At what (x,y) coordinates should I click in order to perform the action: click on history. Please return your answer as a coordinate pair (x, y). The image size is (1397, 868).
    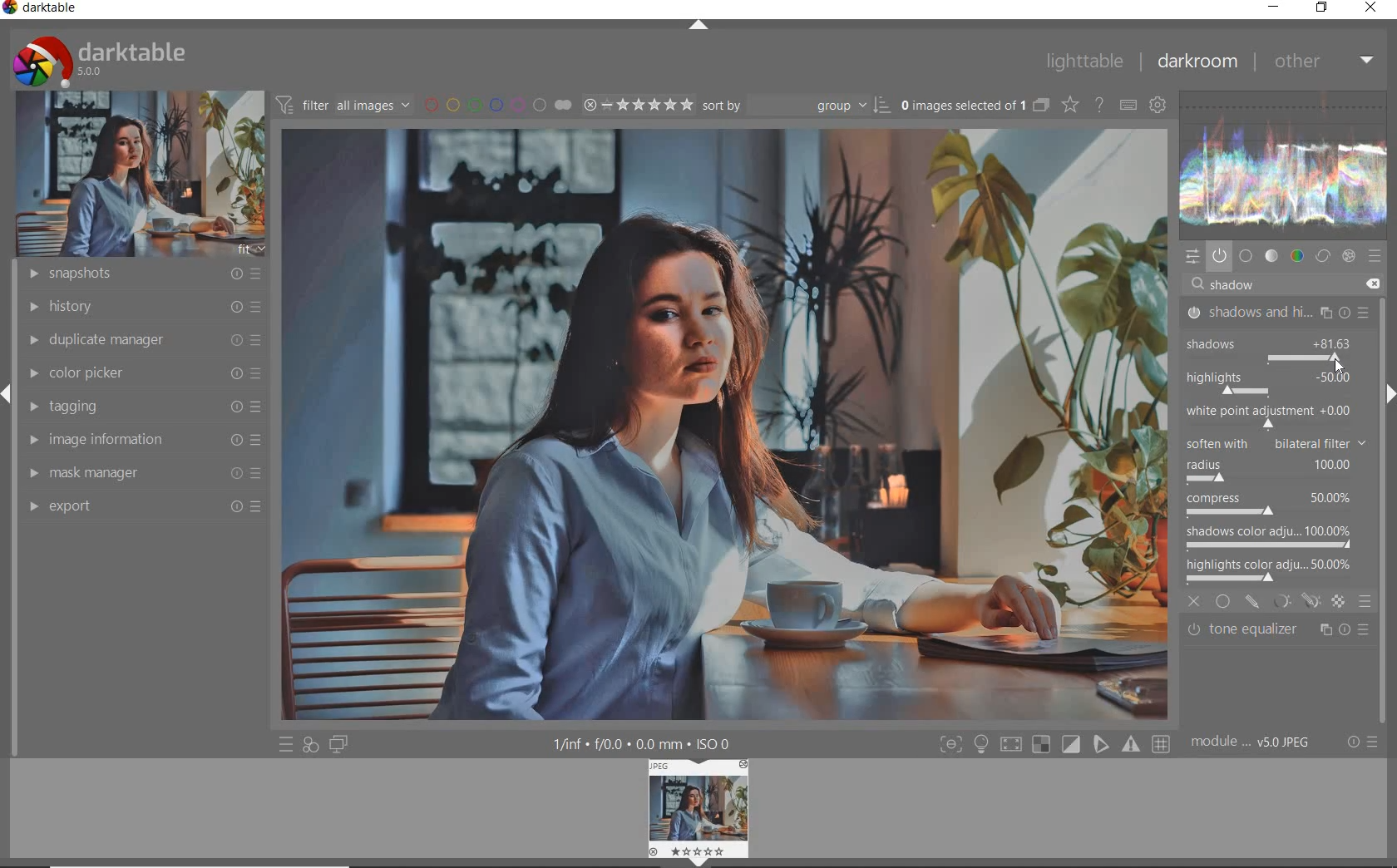
    Looking at the image, I should click on (141, 305).